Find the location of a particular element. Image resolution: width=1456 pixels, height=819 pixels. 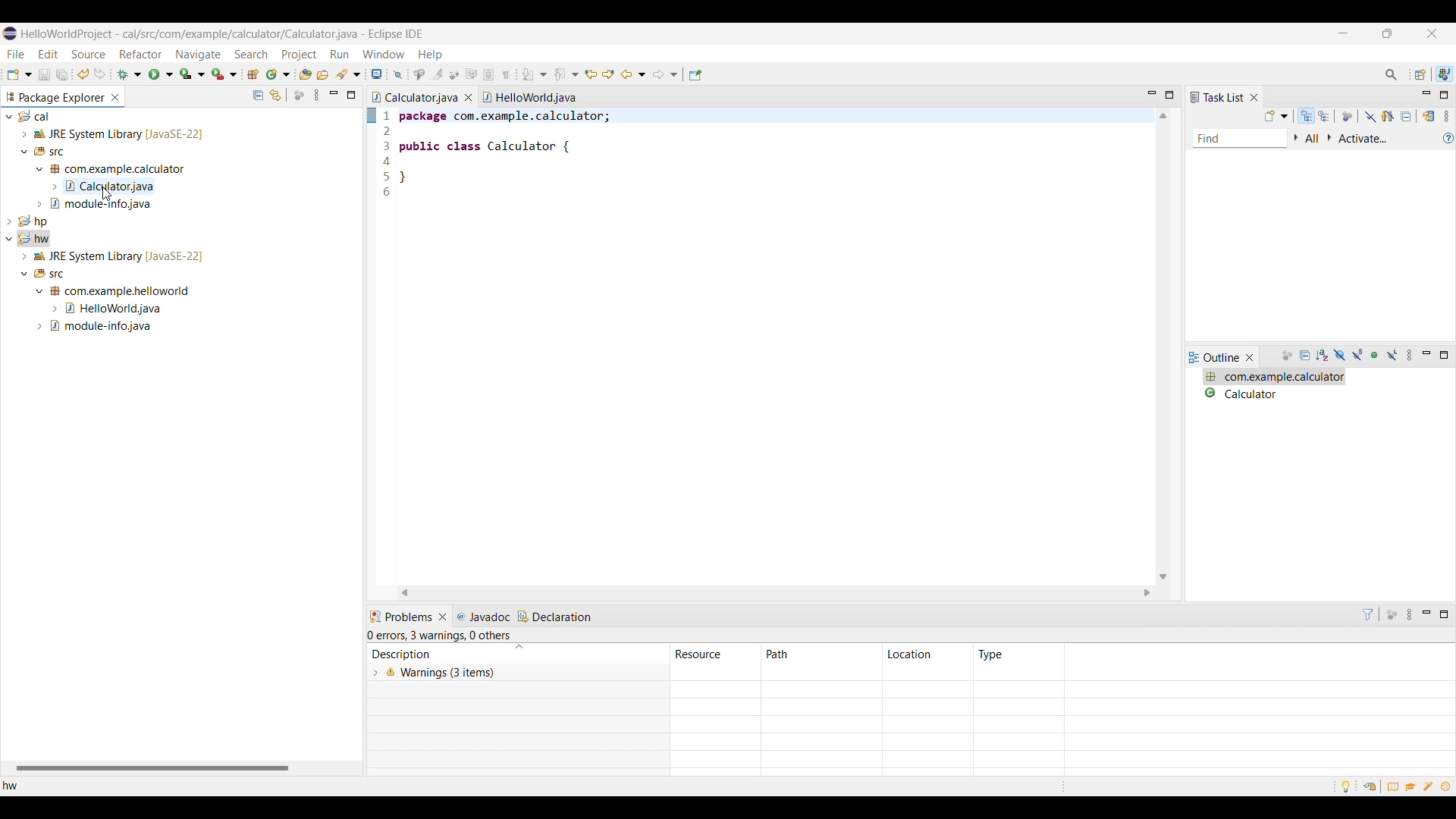

Quick slide to top is located at coordinates (1163, 116).